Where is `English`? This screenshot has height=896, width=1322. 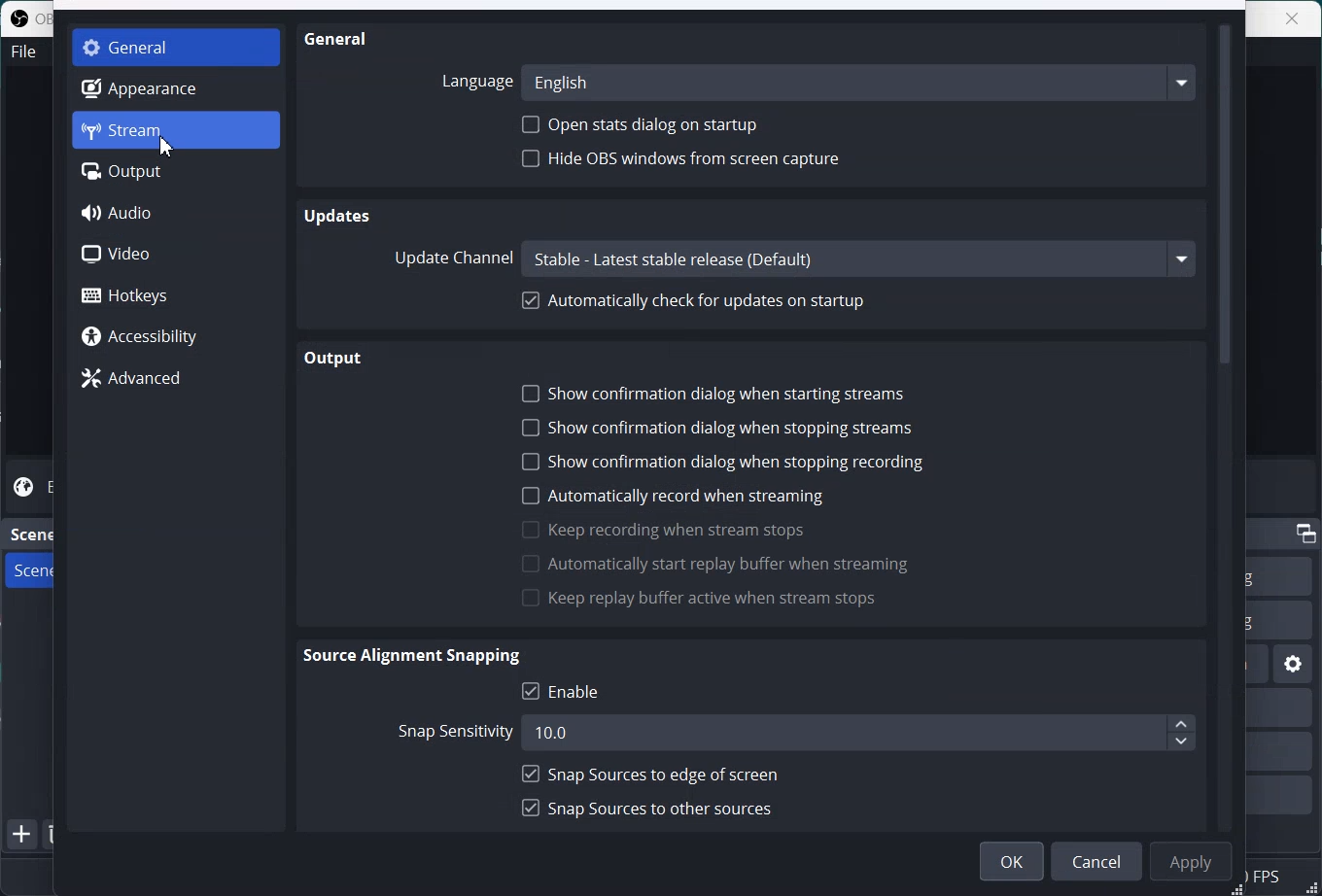
English is located at coordinates (857, 84).